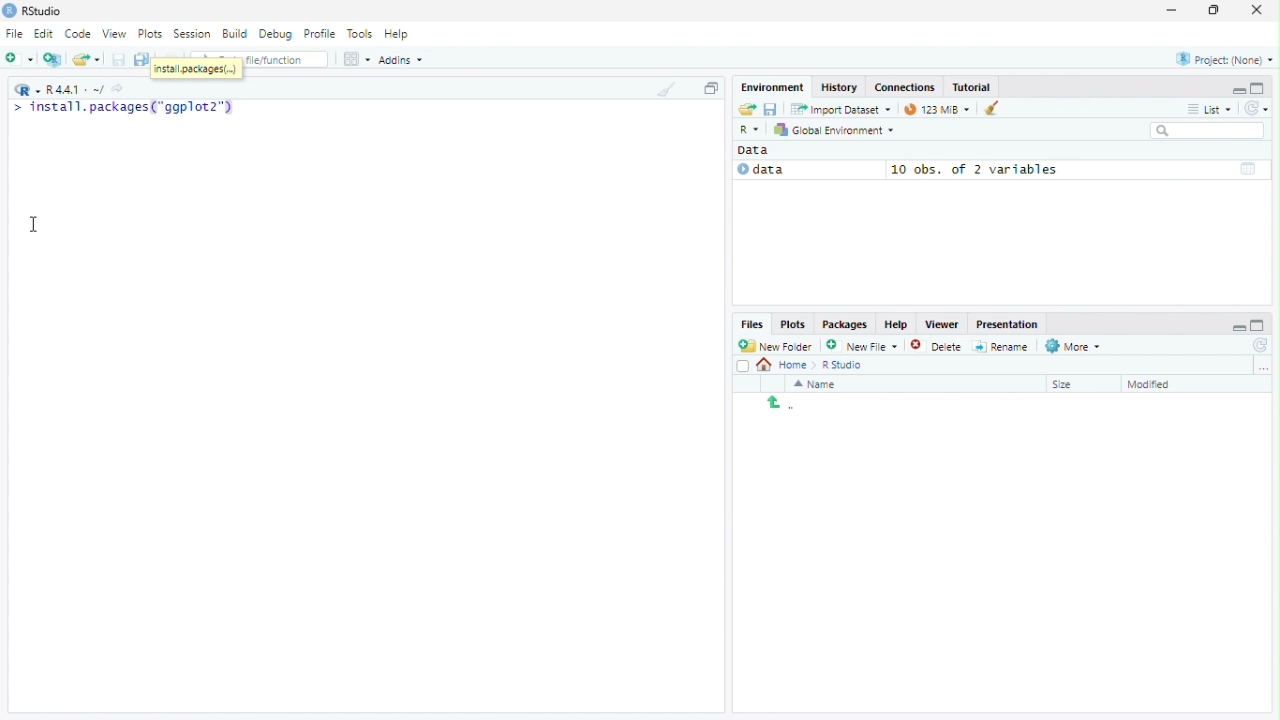 Image resolution: width=1280 pixels, height=720 pixels. Describe the element at coordinates (75, 88) in the screenshot. I see `R language version - R 4.4.1` at that location.